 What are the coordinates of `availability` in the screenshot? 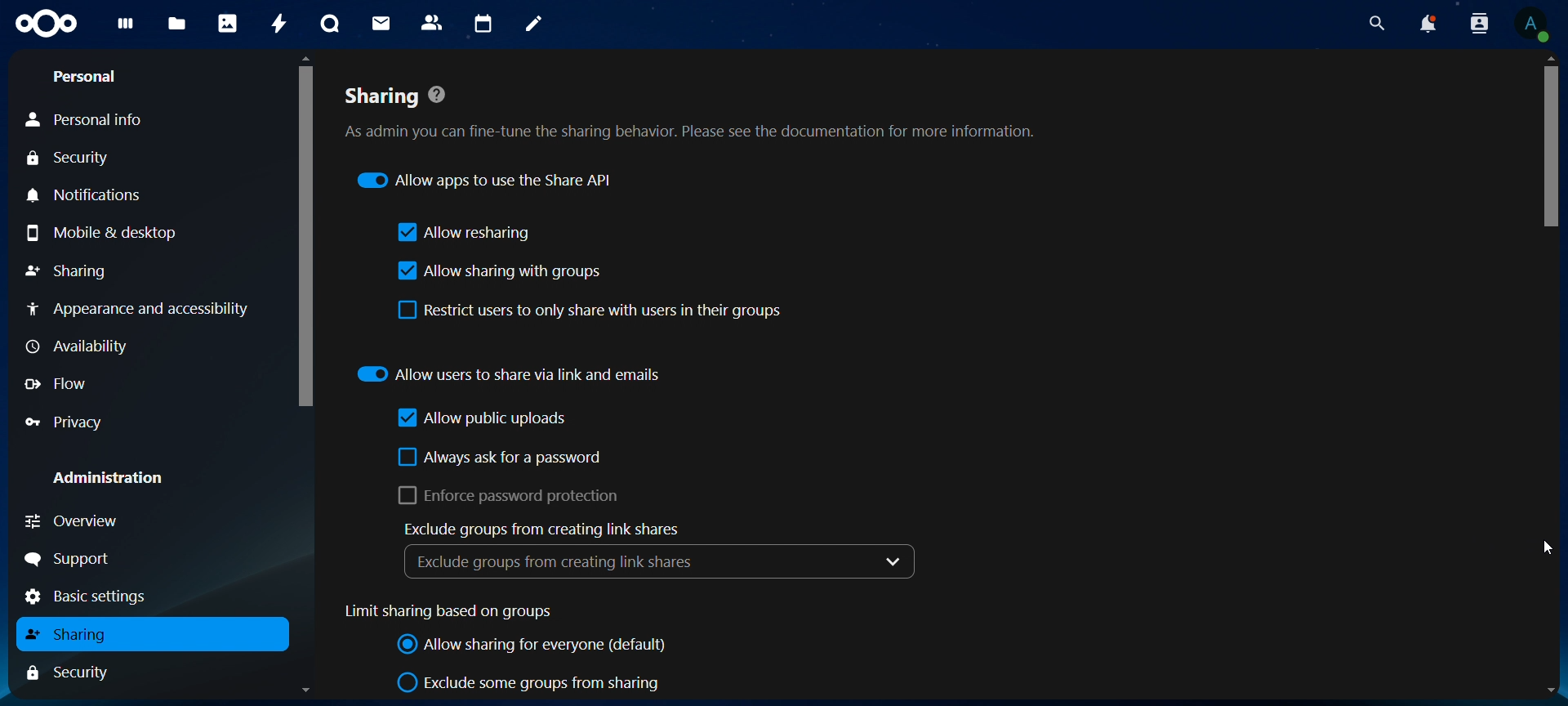 It's located at (78, 346).